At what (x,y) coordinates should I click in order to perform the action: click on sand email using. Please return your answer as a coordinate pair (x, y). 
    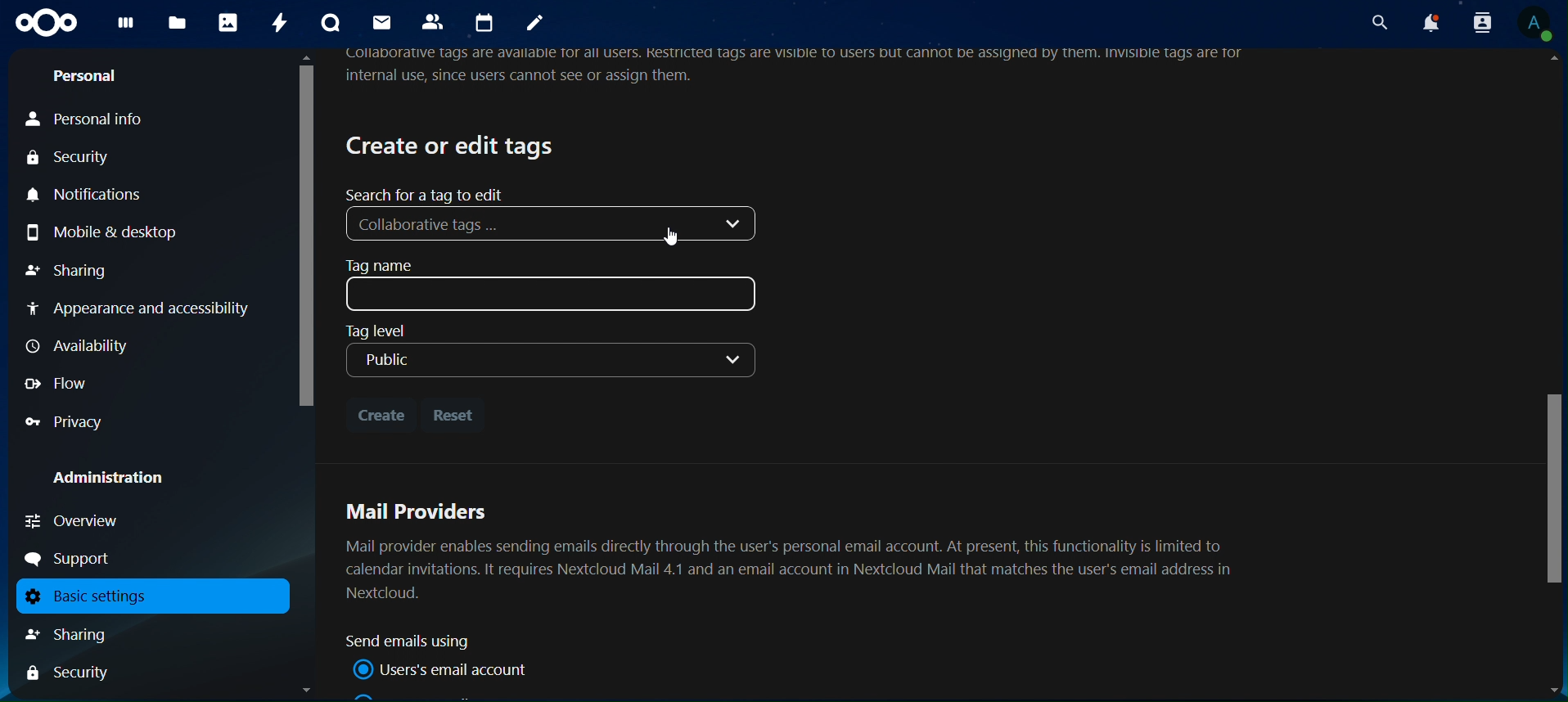
    Looking at the image, I should click on (415, 641).